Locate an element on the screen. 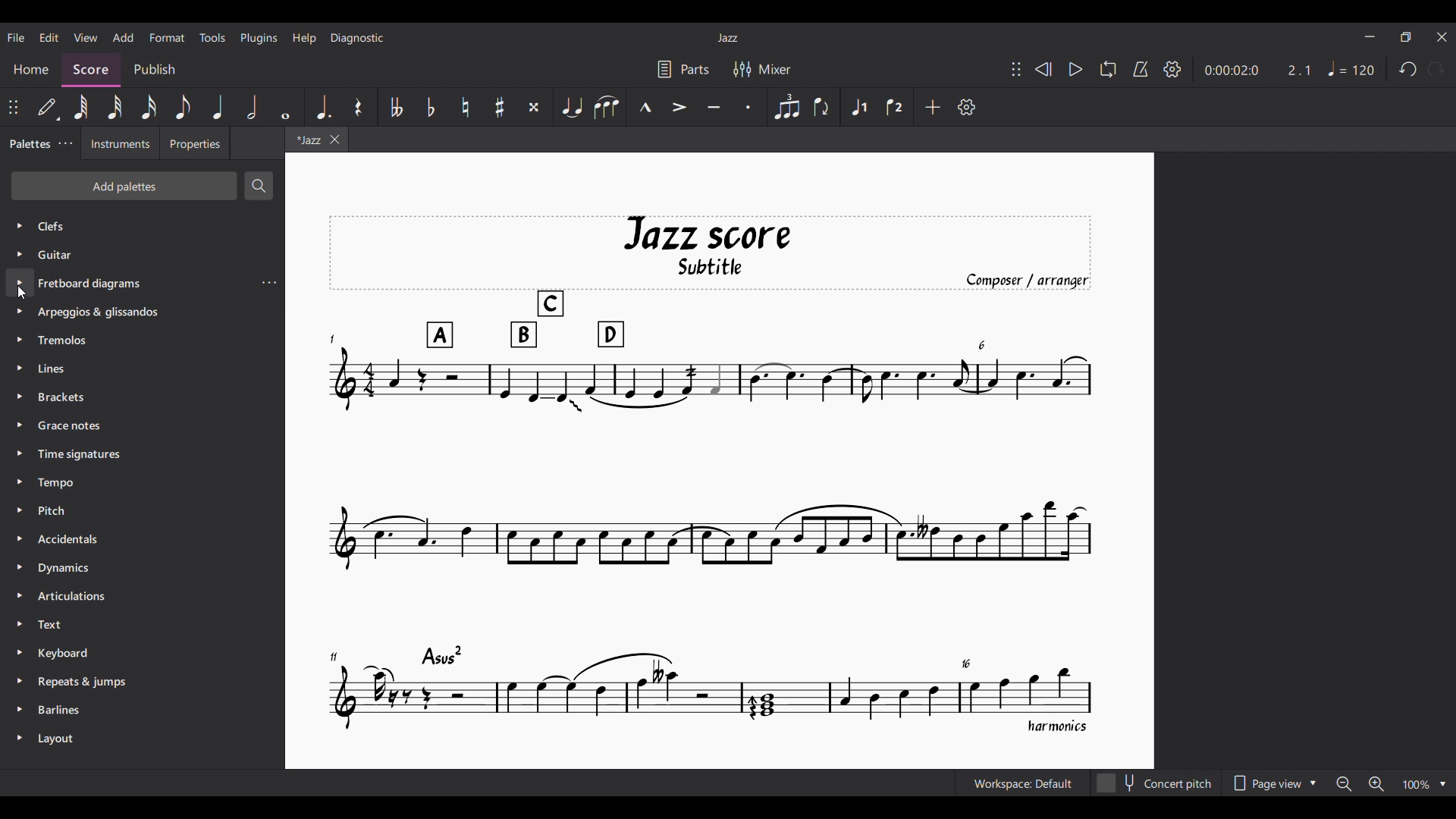 The height and width of the screenshot is (819, 1456). Toggle natural is located at coordinates (466, 107).